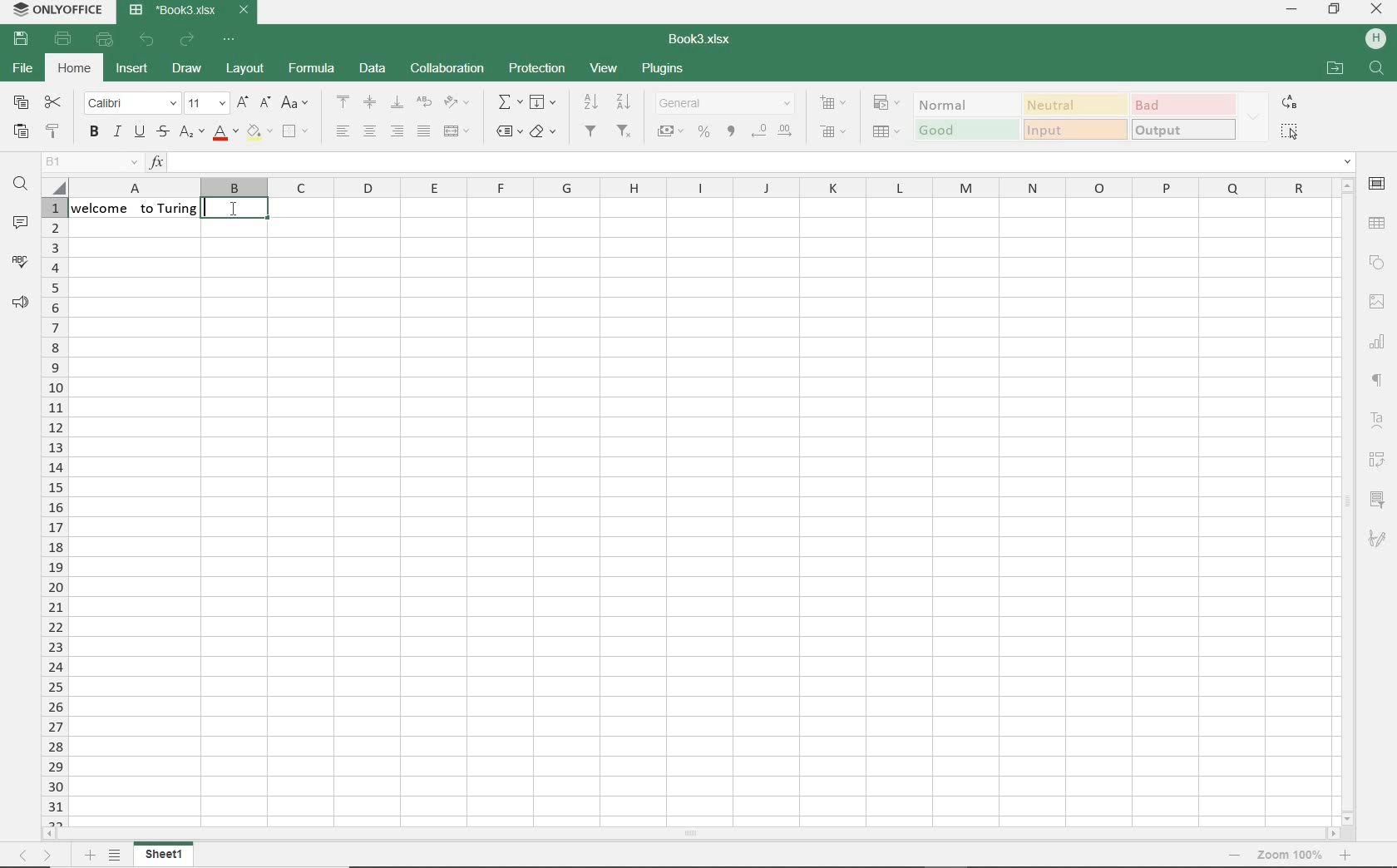  I want to click on chart, so click(1379, 343).